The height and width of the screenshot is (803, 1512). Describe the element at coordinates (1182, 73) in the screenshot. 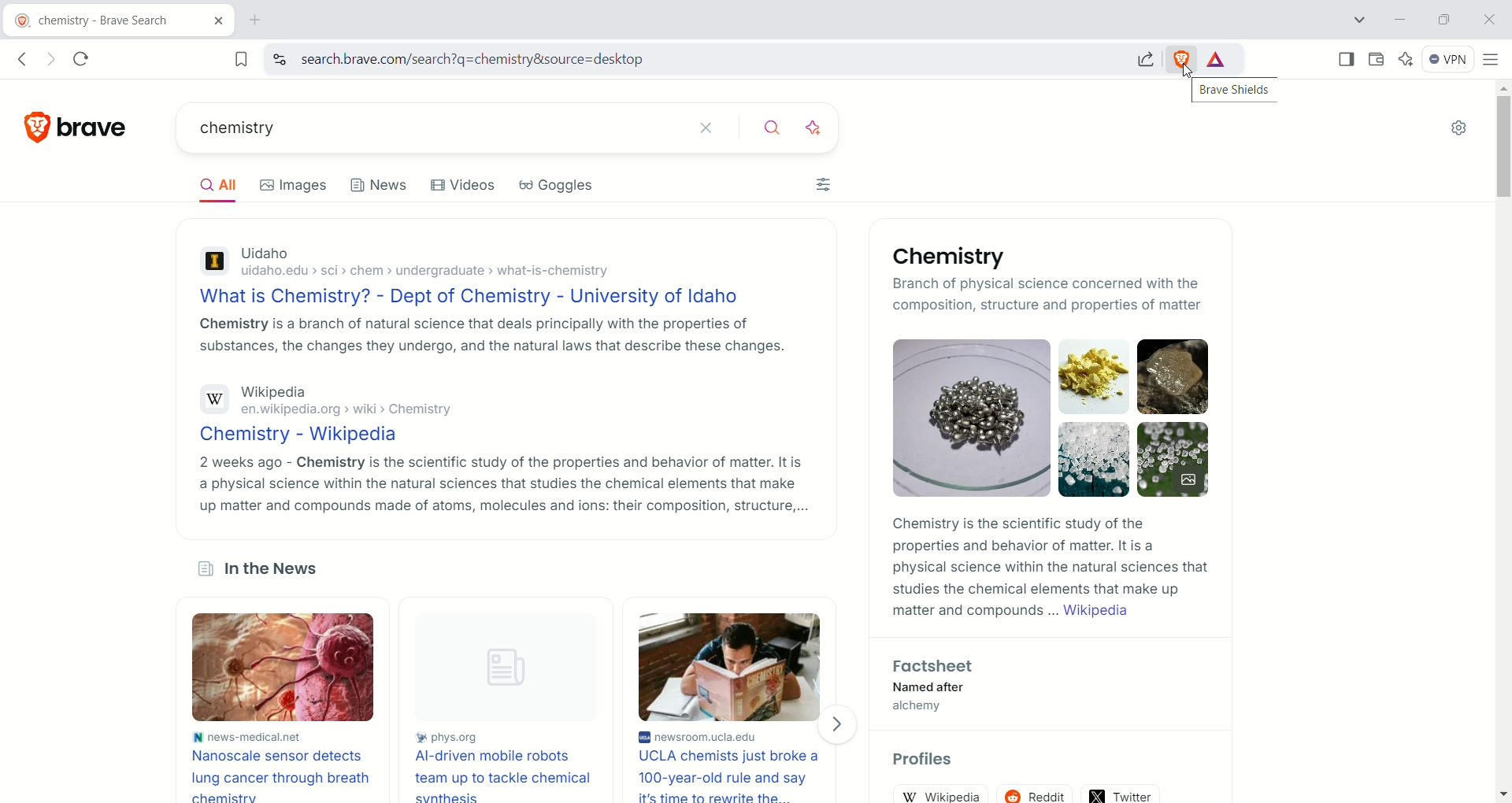

I see `pointer cursor` at that location.